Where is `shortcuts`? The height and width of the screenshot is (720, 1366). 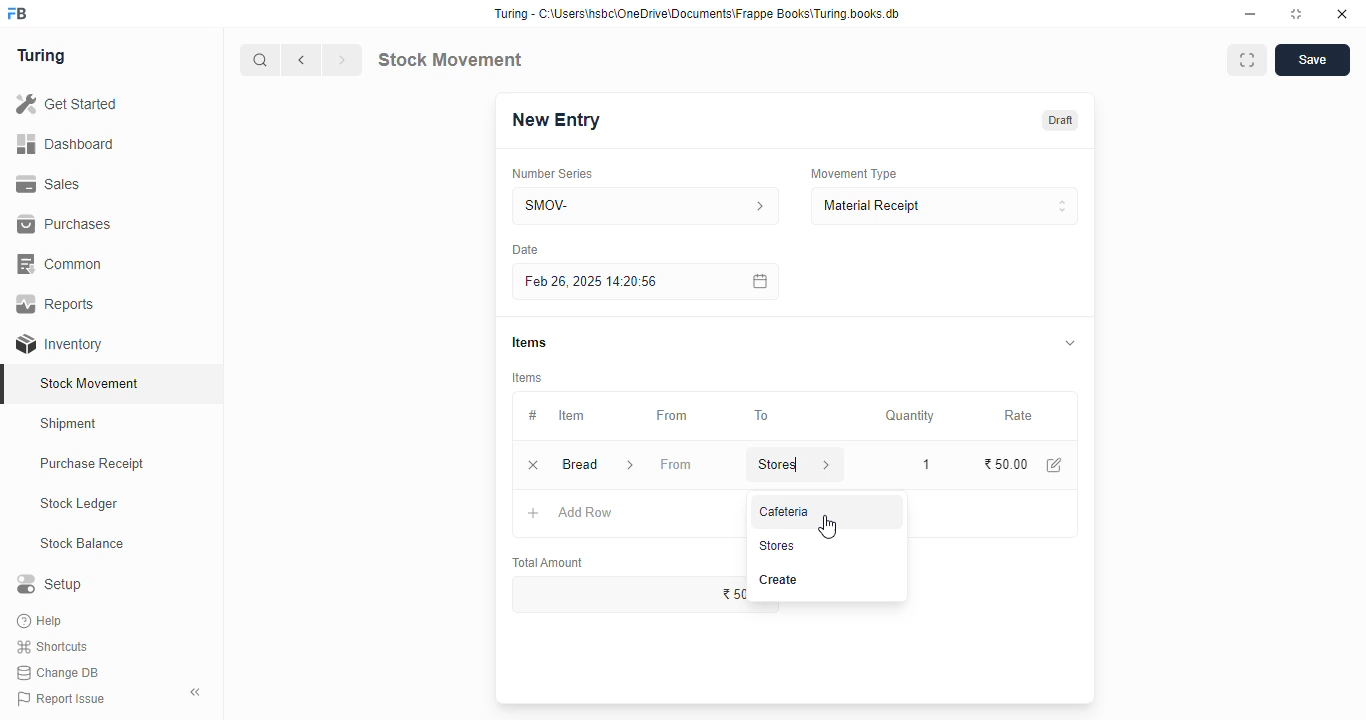
shortcuts is located at coordinates (52, 647).